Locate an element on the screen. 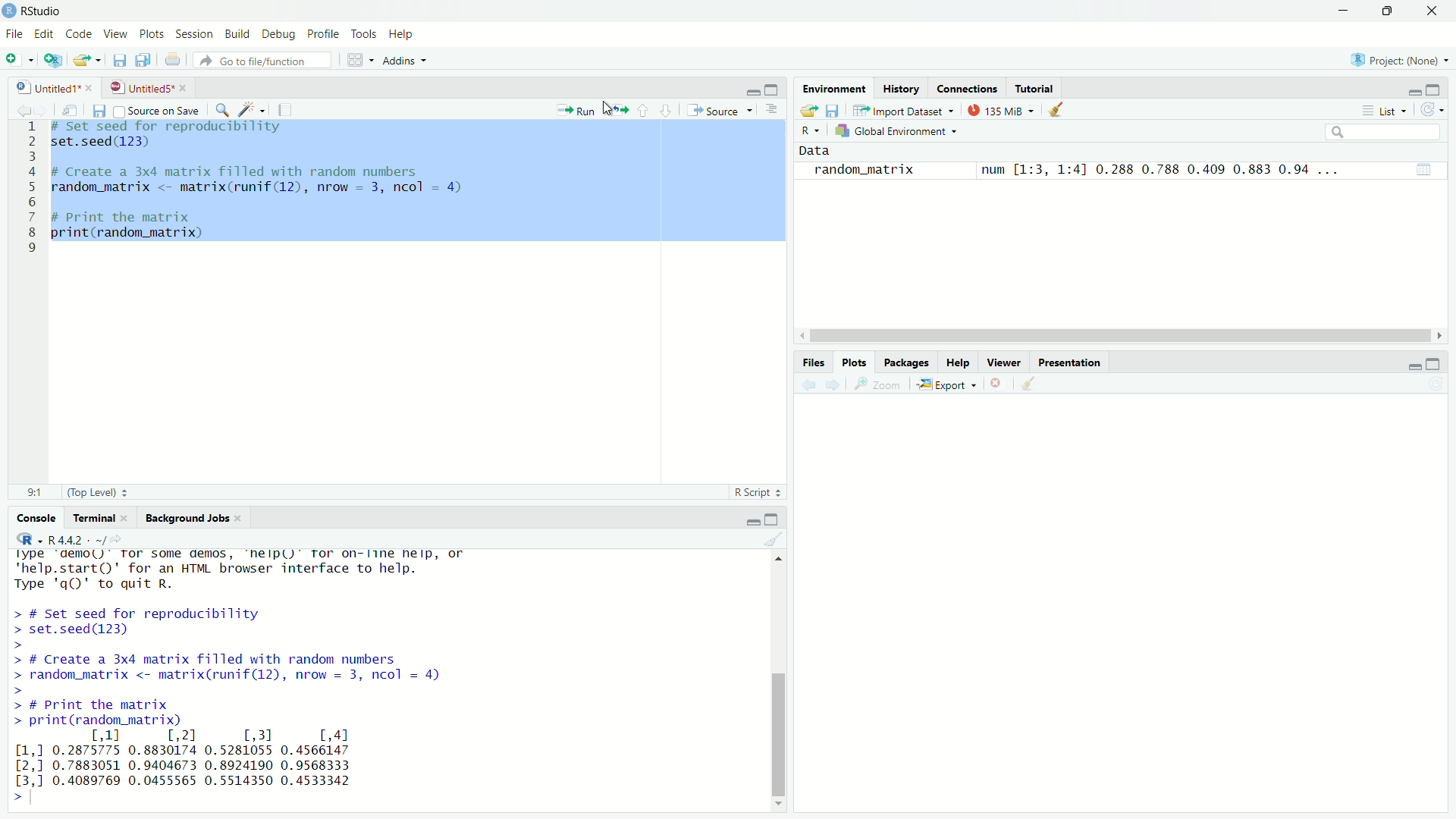 This screenshot has height=819, width=1456. Addins + is located at coordinates (403, 60).